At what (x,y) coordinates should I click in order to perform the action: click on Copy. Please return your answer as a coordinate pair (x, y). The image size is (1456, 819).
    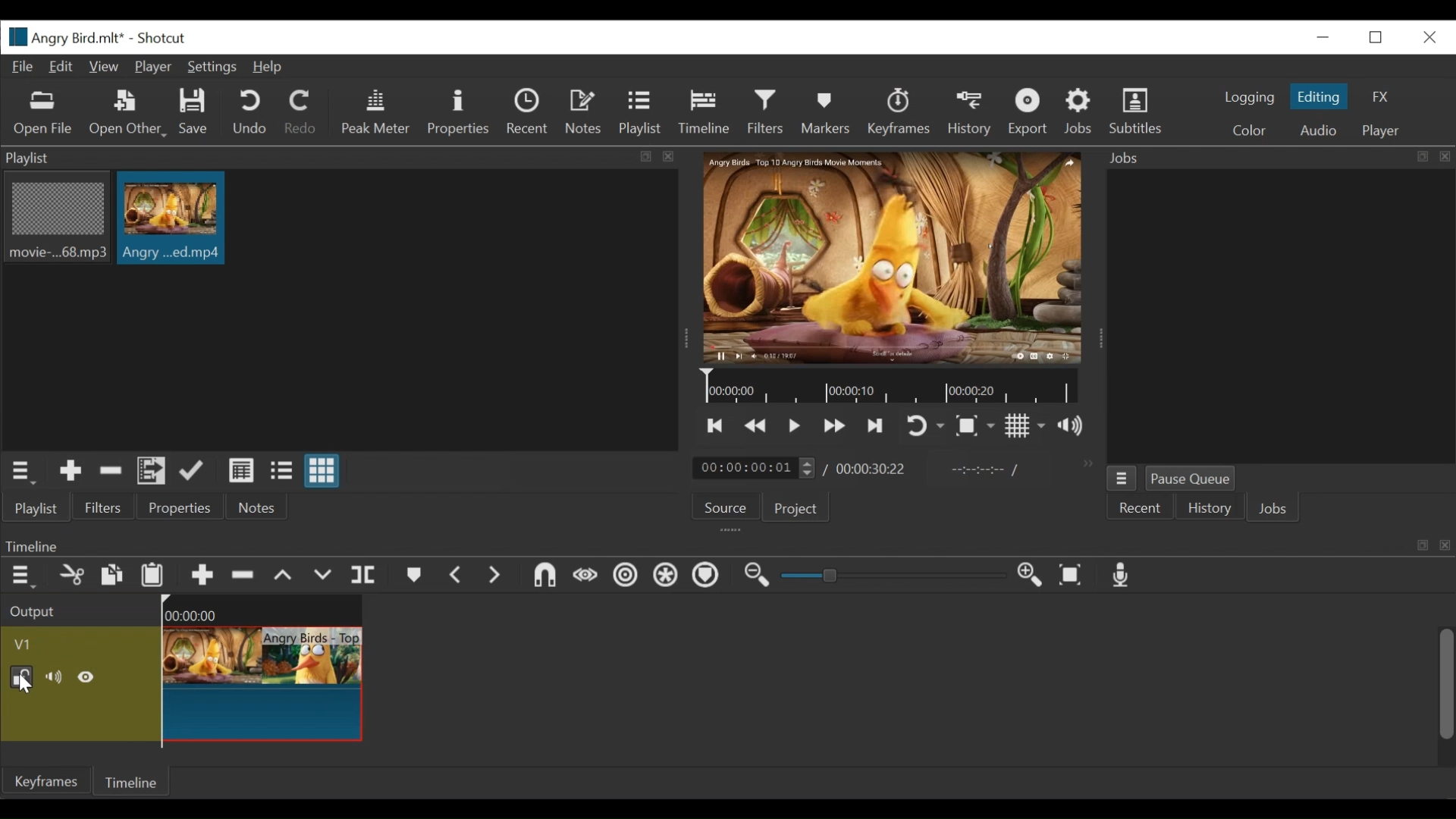
    Looking at the image, I should click on (113, 577).